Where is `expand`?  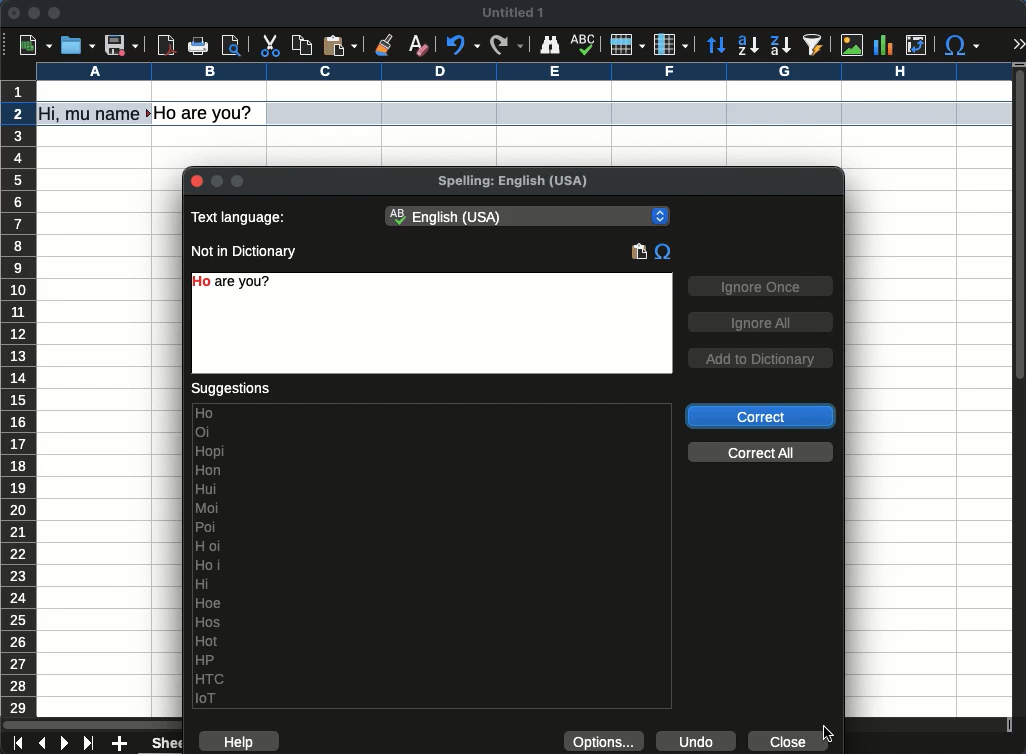
expand is located at coordinates (1020, 45).